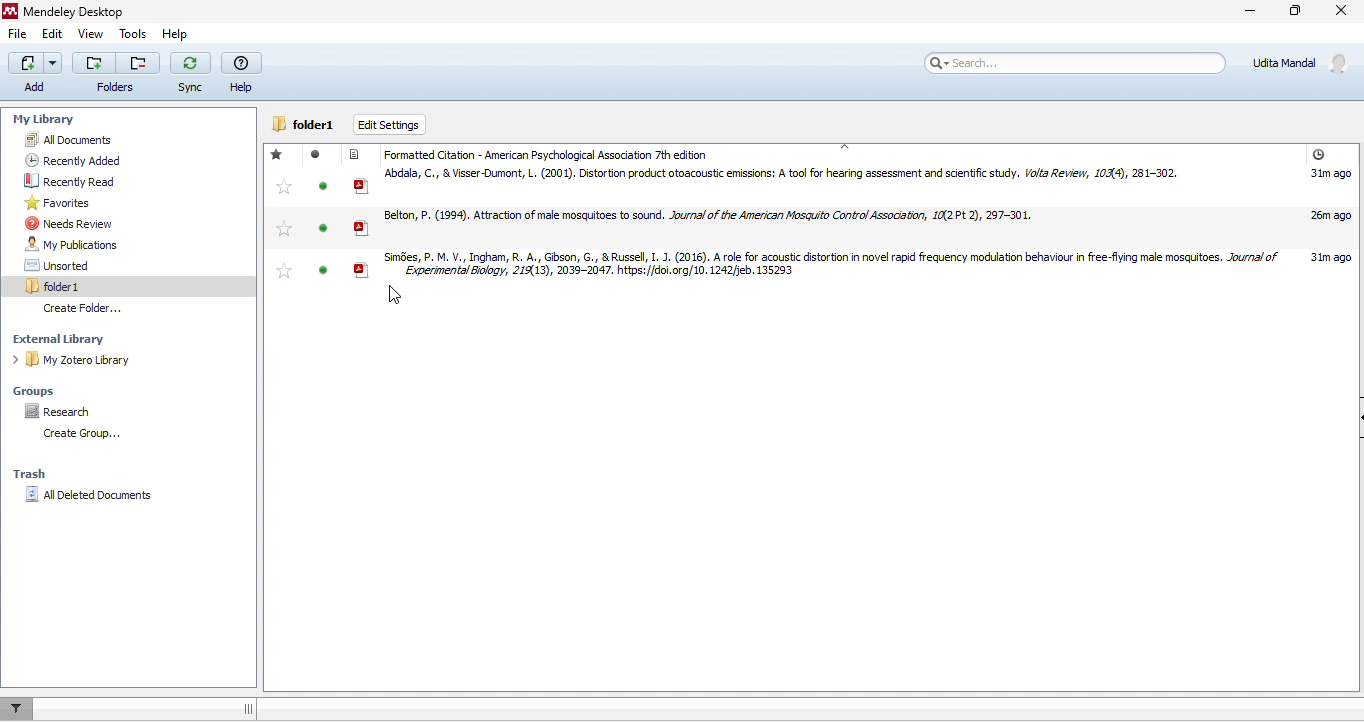 Image resolution: width=1364 pixels, height=722 pixels. What do you see at coordinates (97, 360) in the screenshot?
I see `my zotero library` at bounding box center [97, 360].